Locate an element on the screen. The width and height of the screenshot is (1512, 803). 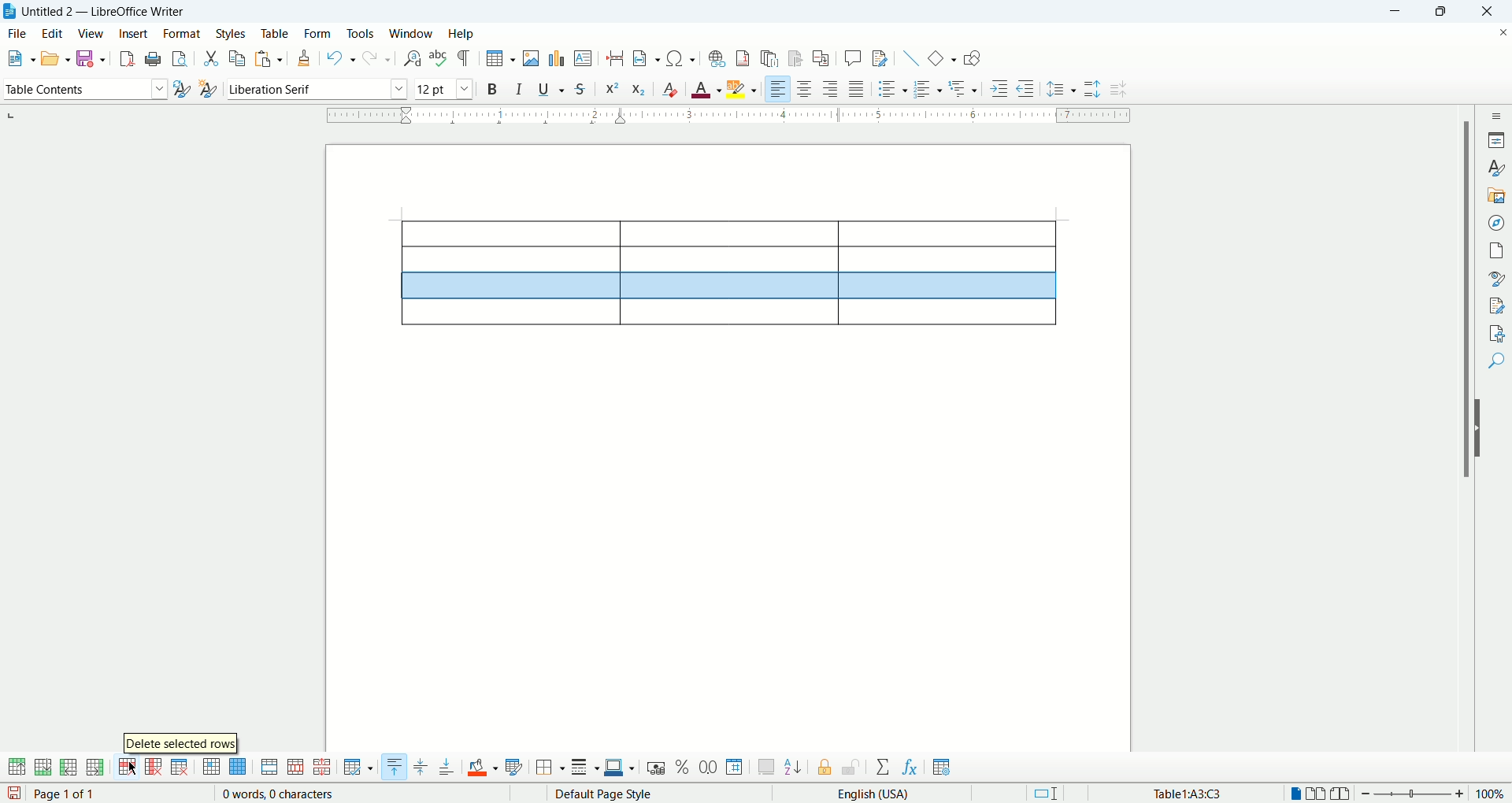
multiple page view is located at coordinates (1317, 792).